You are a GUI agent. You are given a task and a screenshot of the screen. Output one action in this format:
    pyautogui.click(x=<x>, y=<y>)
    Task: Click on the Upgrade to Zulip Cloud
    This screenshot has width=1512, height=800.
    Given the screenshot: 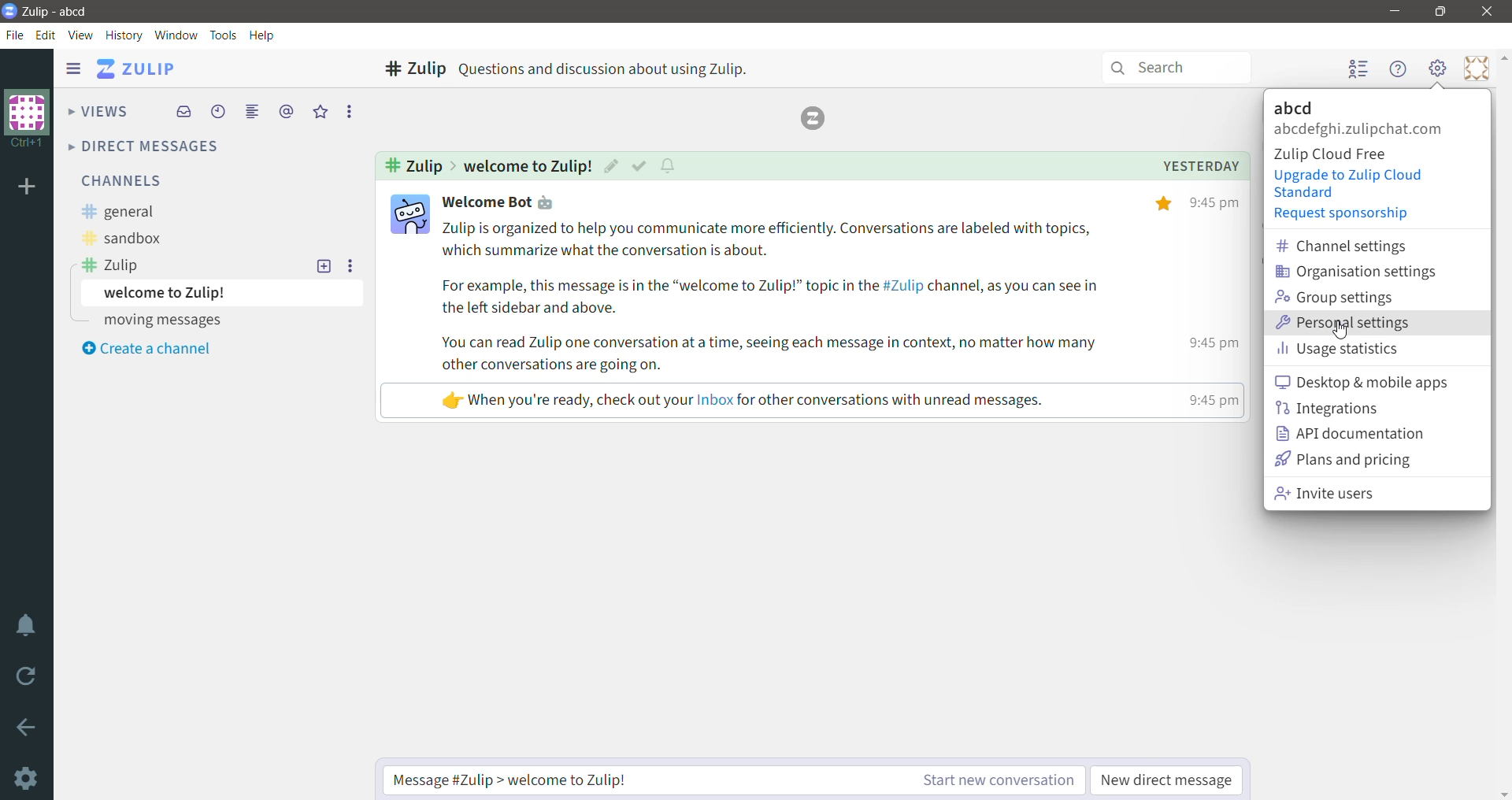 What is the action you would take?
    pyautogui.click(x=1354, y=174)
    